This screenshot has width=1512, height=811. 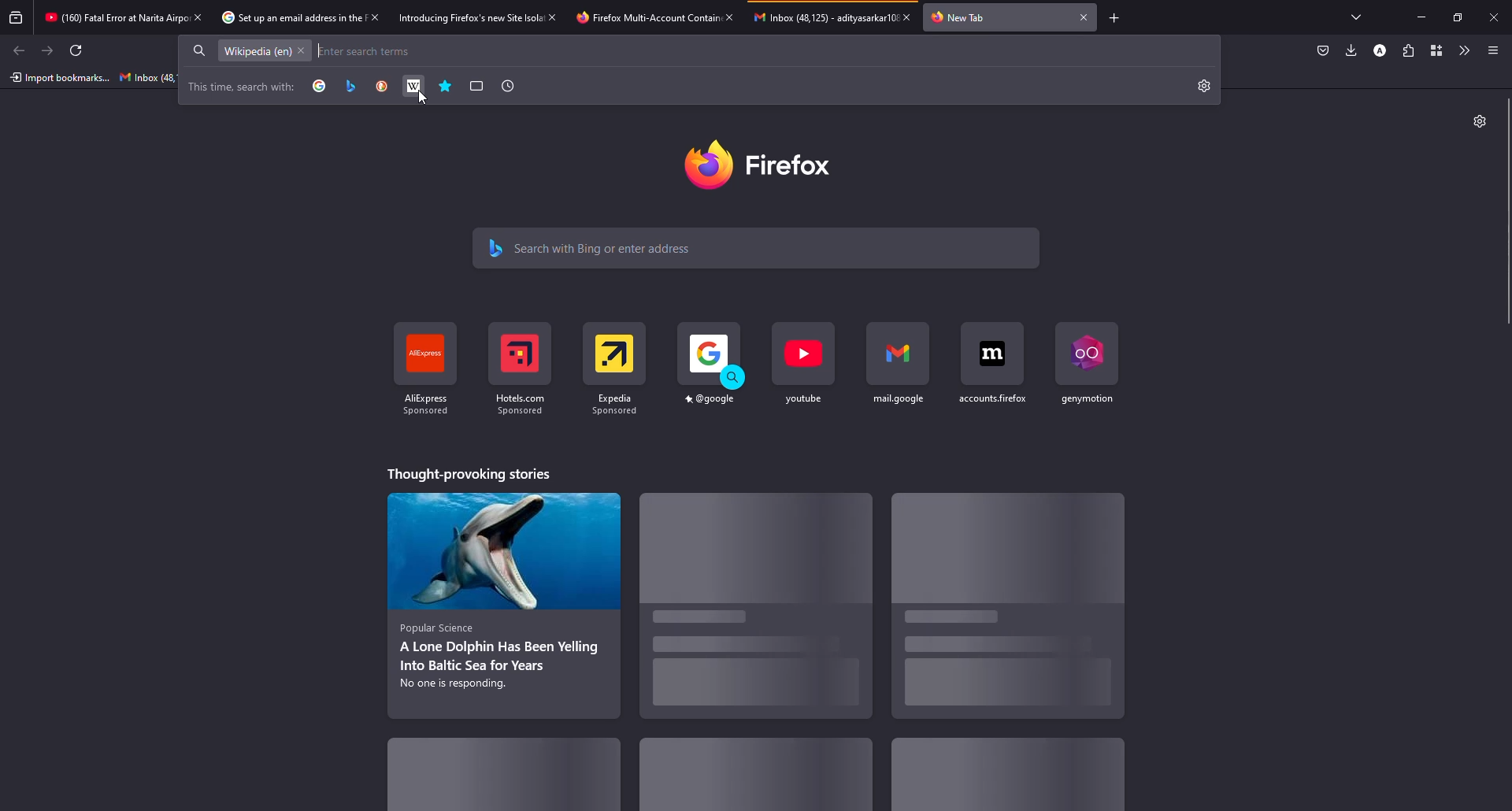 I want to click on import, so click(x=58, y=79).